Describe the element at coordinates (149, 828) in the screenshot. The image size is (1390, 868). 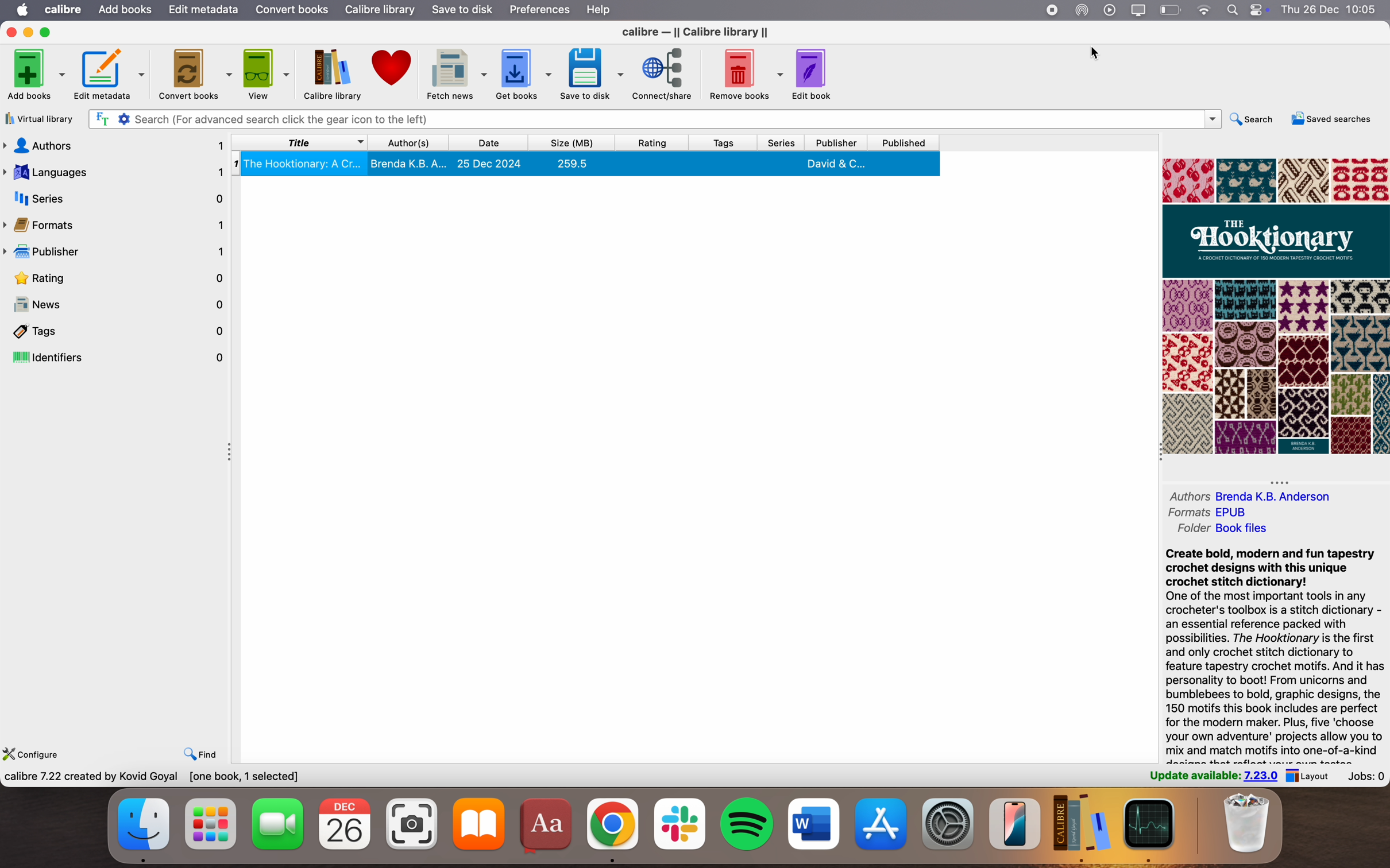
I see `Finder` at that location.